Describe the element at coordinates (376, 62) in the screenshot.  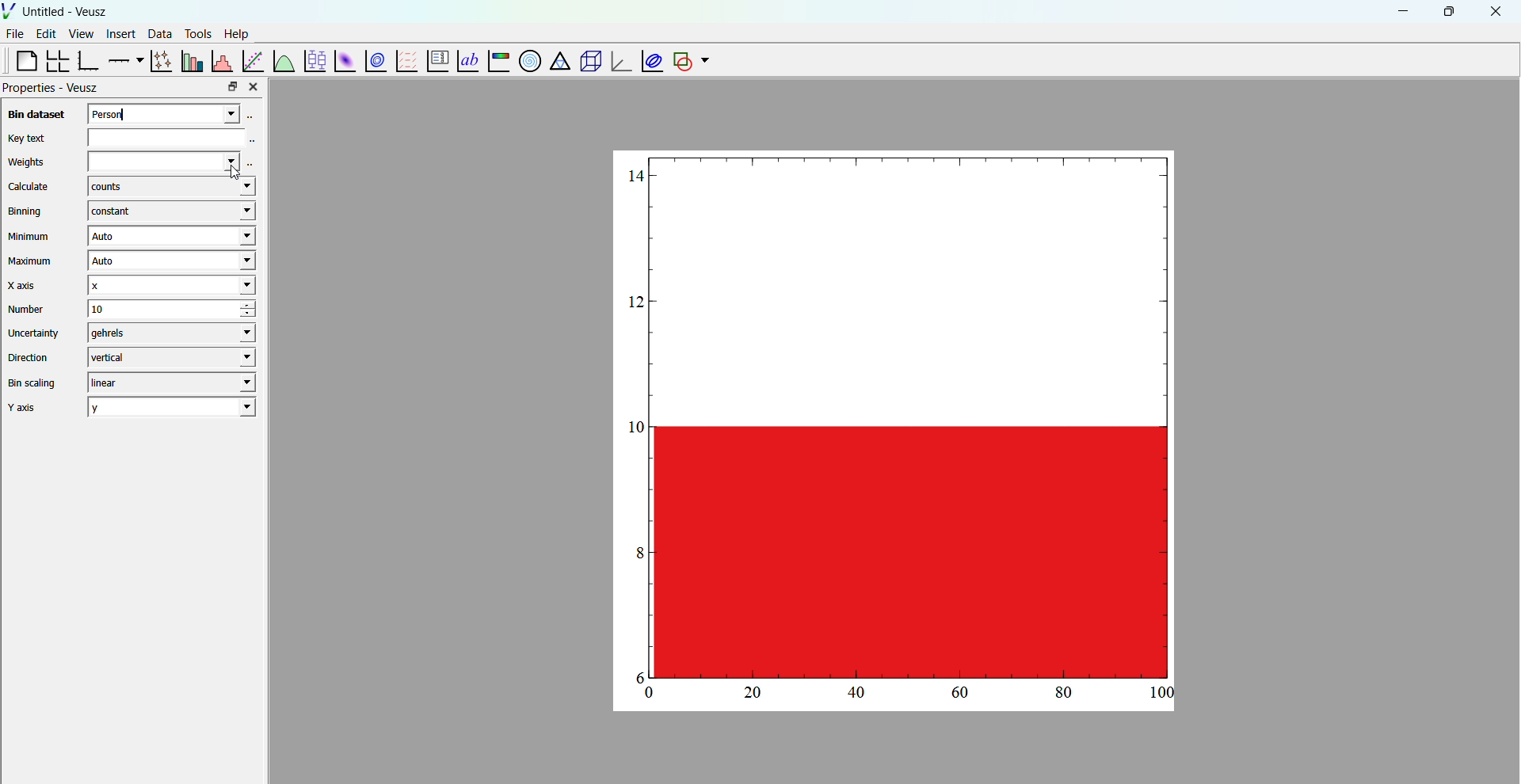
I see `plot 2d datasets as contour` at that location.